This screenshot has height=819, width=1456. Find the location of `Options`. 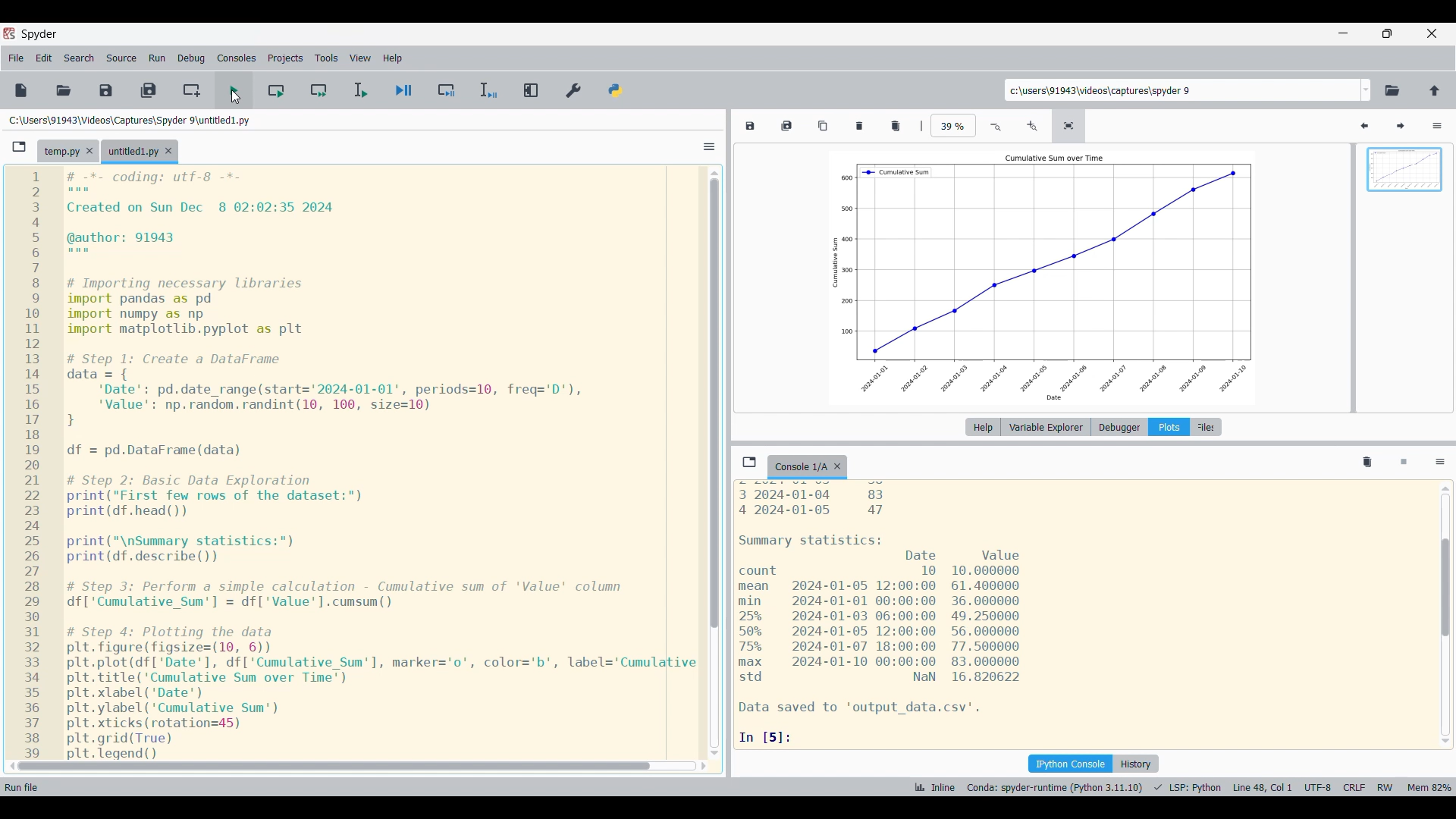

Options is located at coordinates (709, 147).